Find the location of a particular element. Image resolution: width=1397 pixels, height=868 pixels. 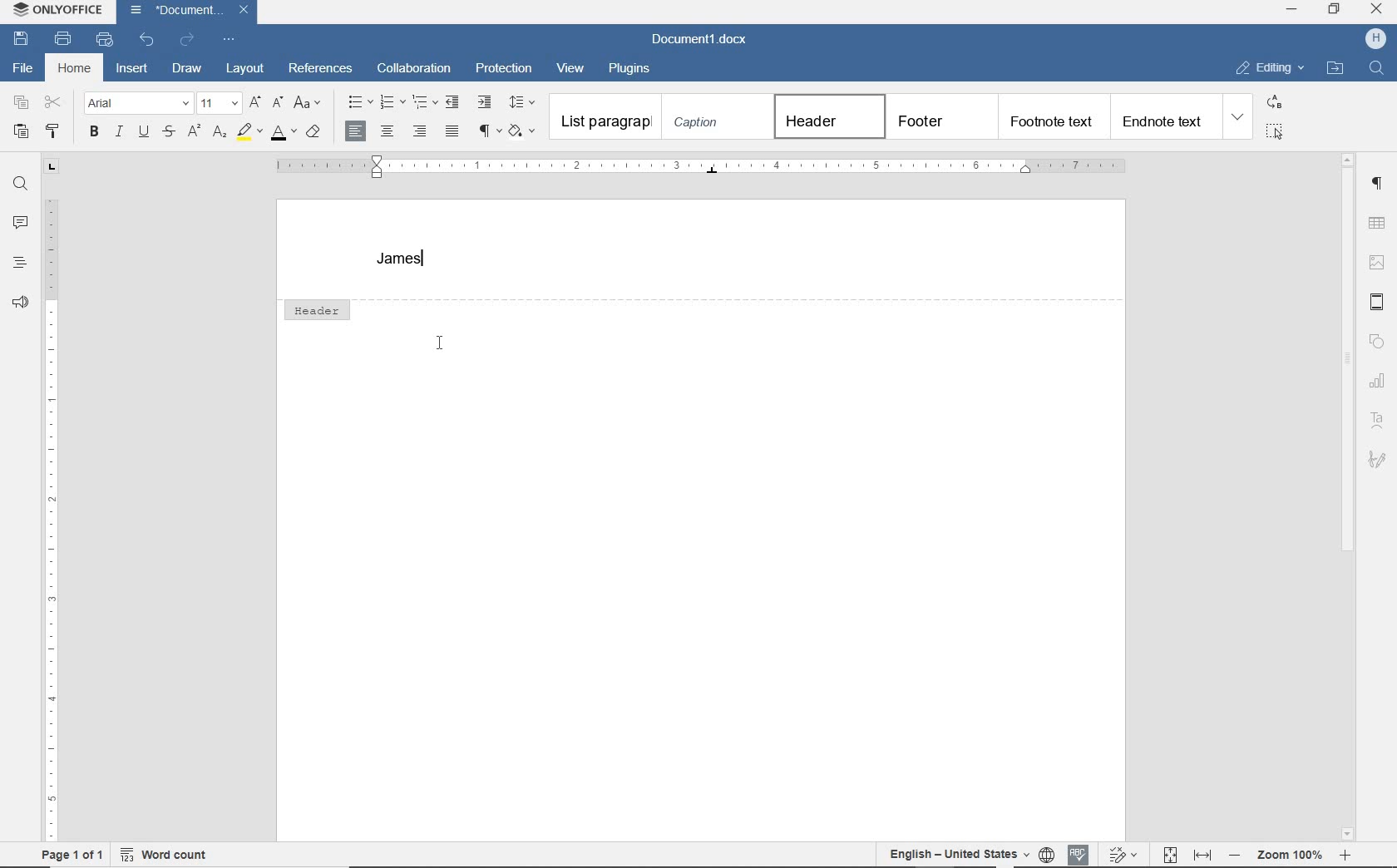

font color is located at coordinates (283, 136).